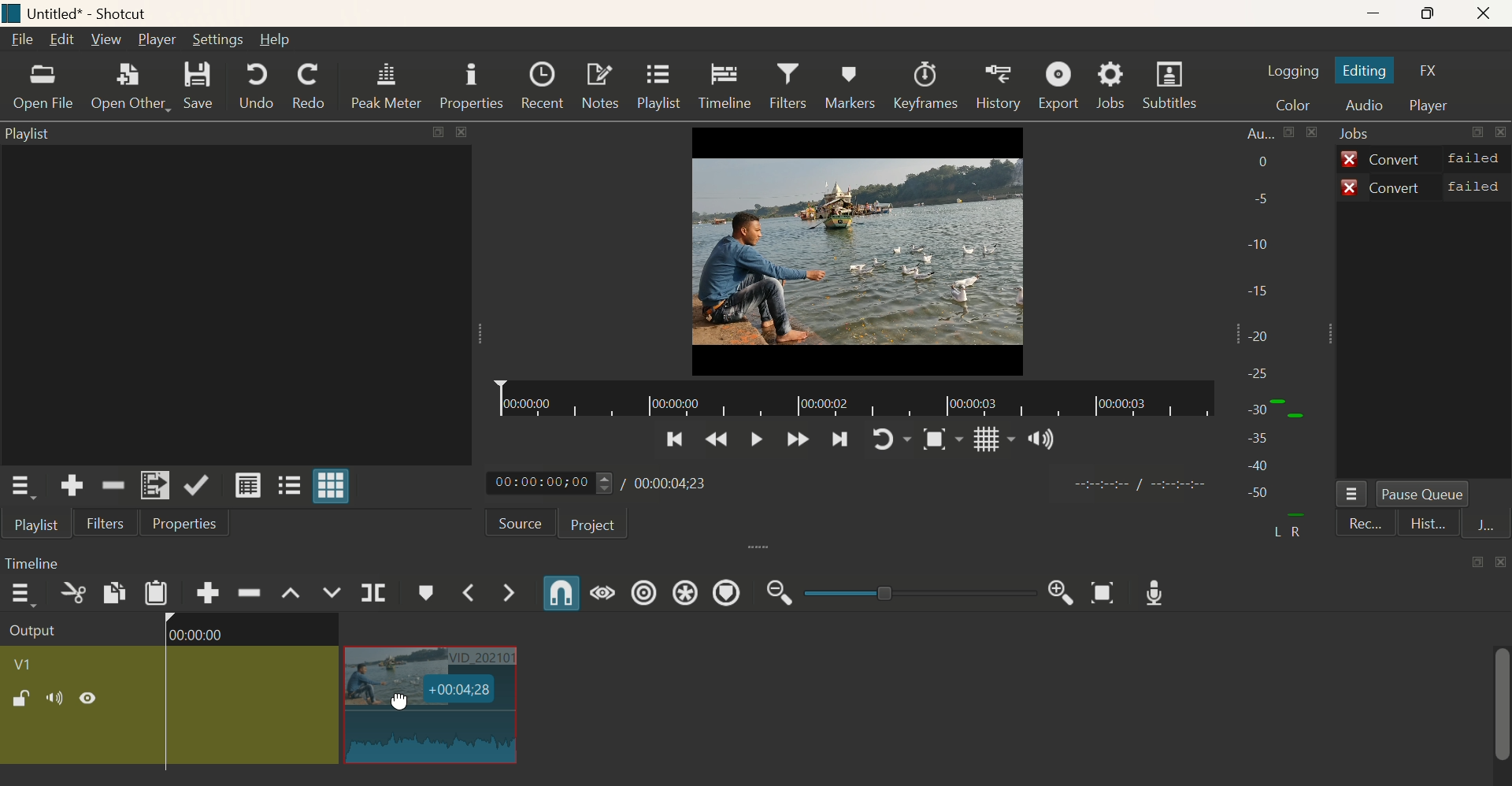  What do you see at coordinates (105, 38) in the screenshot?
I see `View` at bounding box center [105, 38].